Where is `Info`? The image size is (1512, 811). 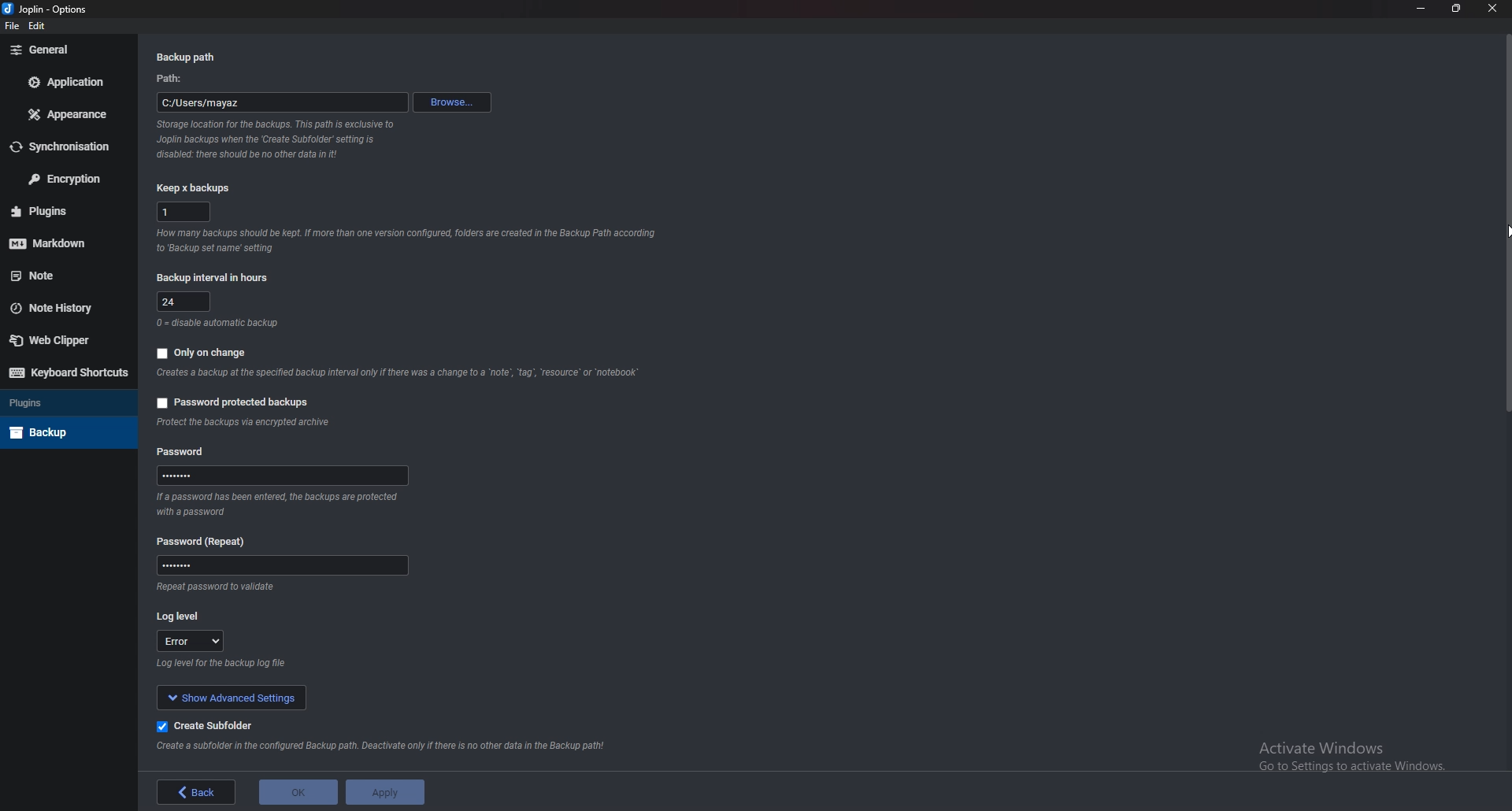 Info is located at coordinates (402, 373).